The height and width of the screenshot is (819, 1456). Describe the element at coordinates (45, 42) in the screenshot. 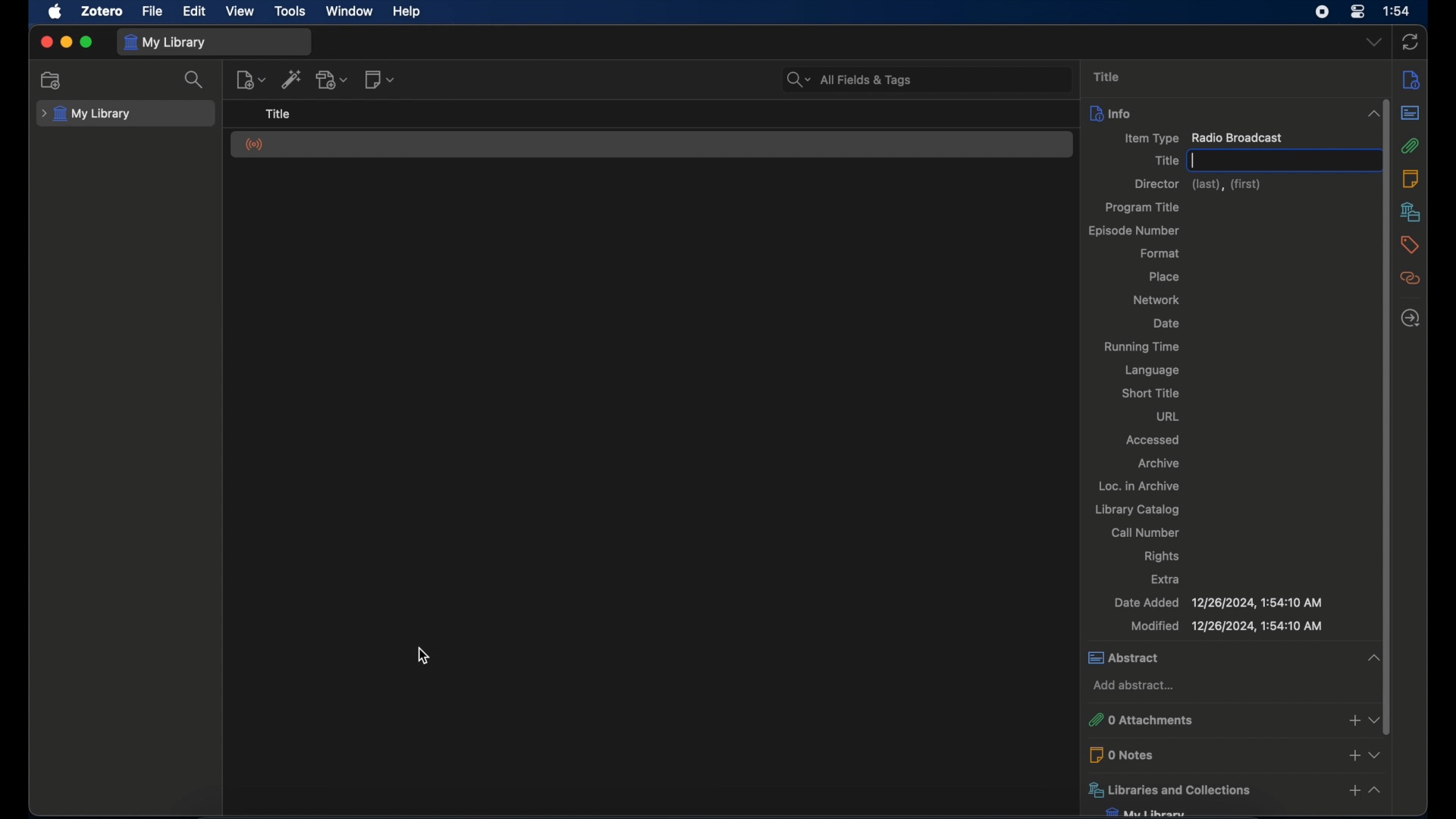

I see `close` at that location.